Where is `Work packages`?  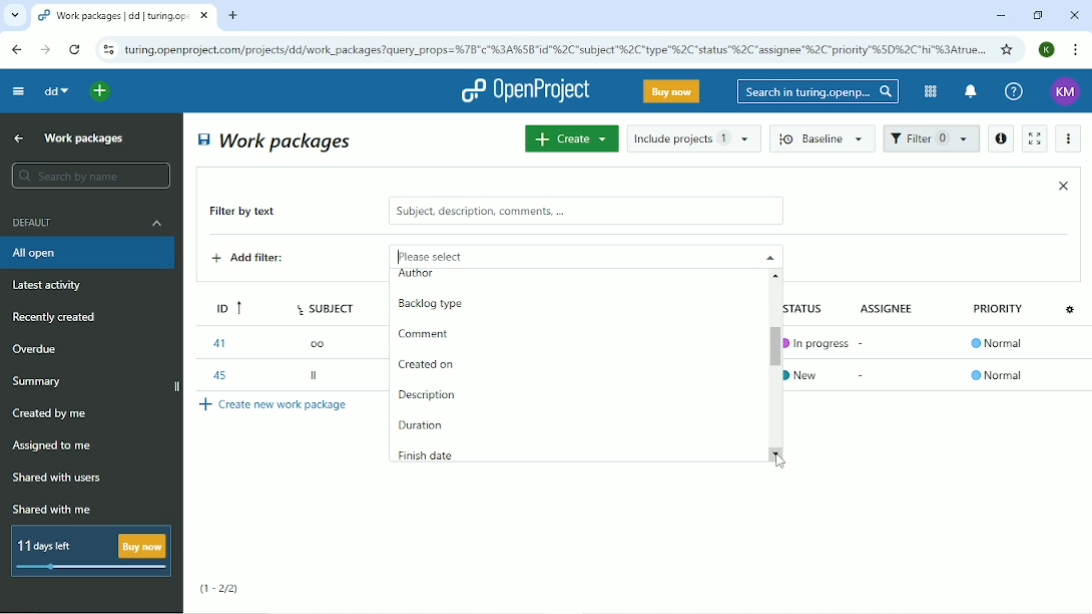
Work packages is located at coordinates (85, 137).